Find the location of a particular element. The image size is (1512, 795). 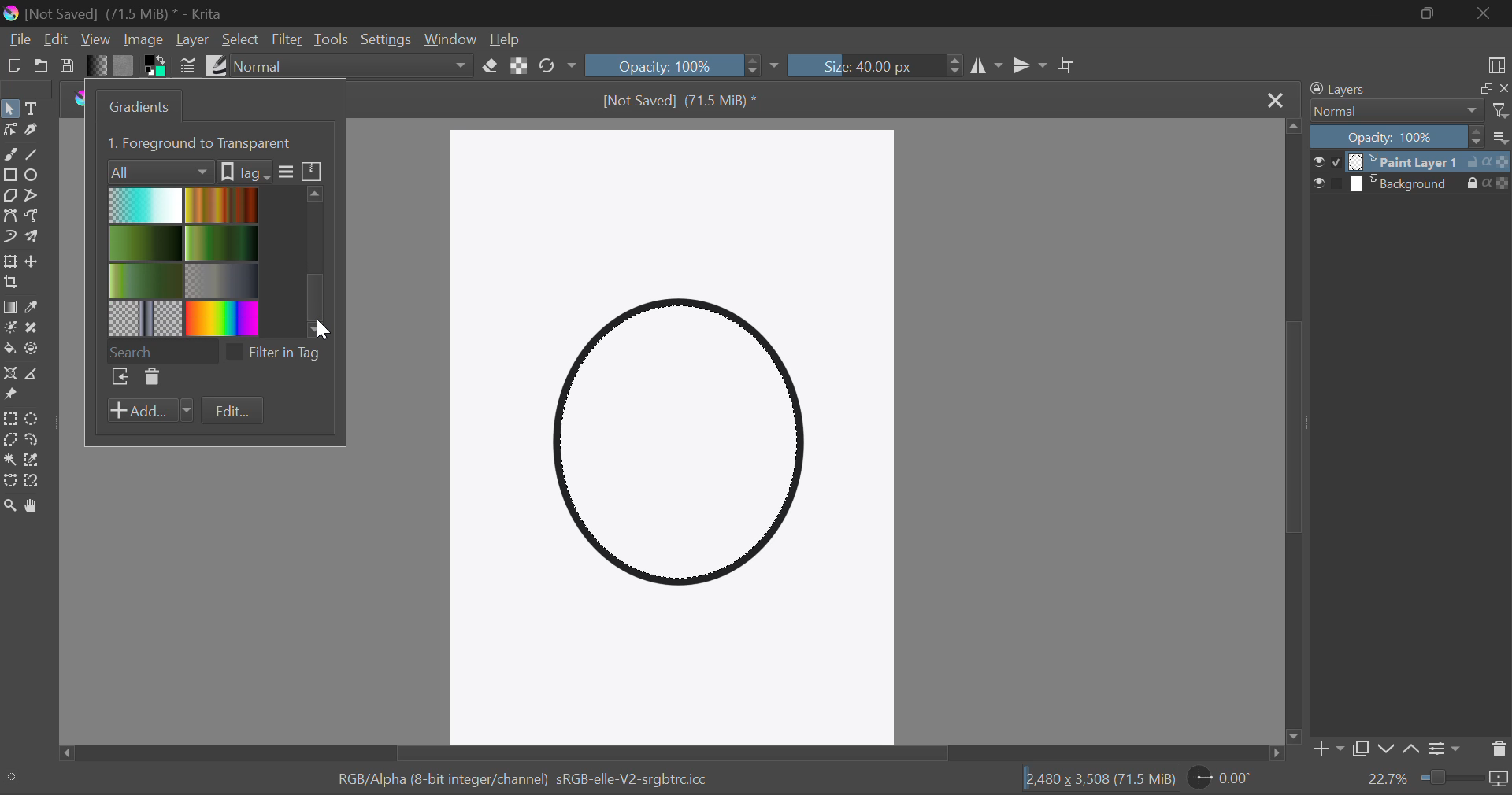

scroll bar is located at coordinates (313, 264).